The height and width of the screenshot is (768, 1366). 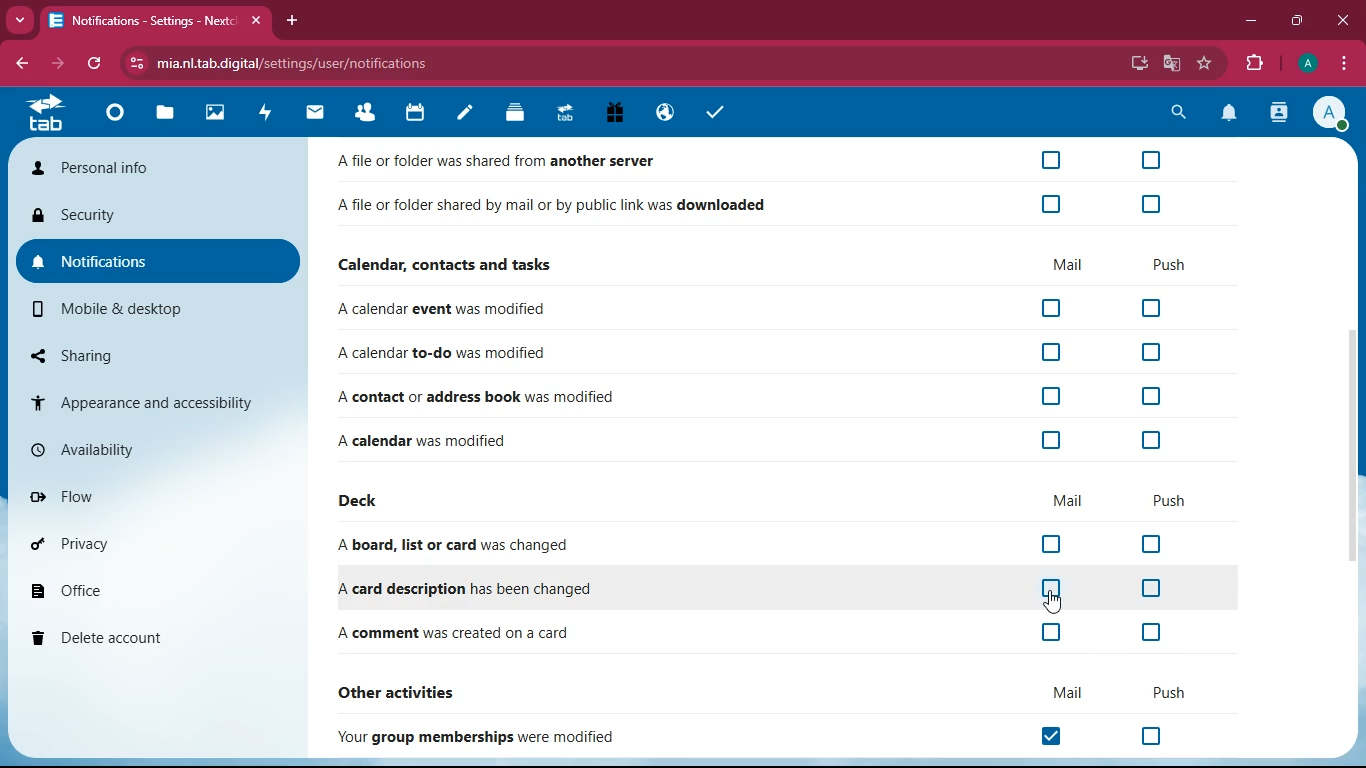 What do you see at coordinates (113, 112) in the screenshot?
I see `home` at bounding box center [113, 112].